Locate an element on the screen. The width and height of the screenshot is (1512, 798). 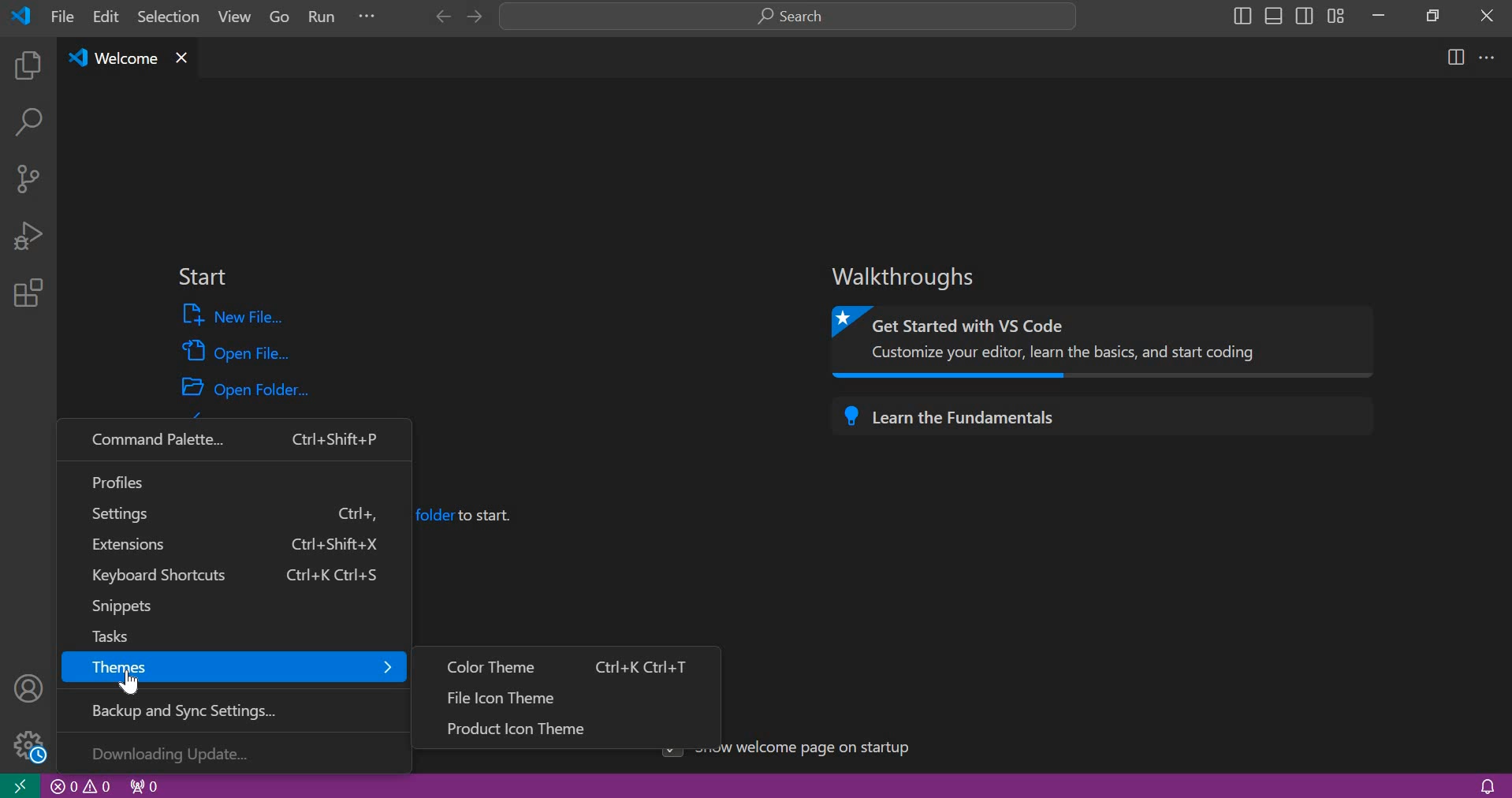
welcome is located at coordinates (110, 59).